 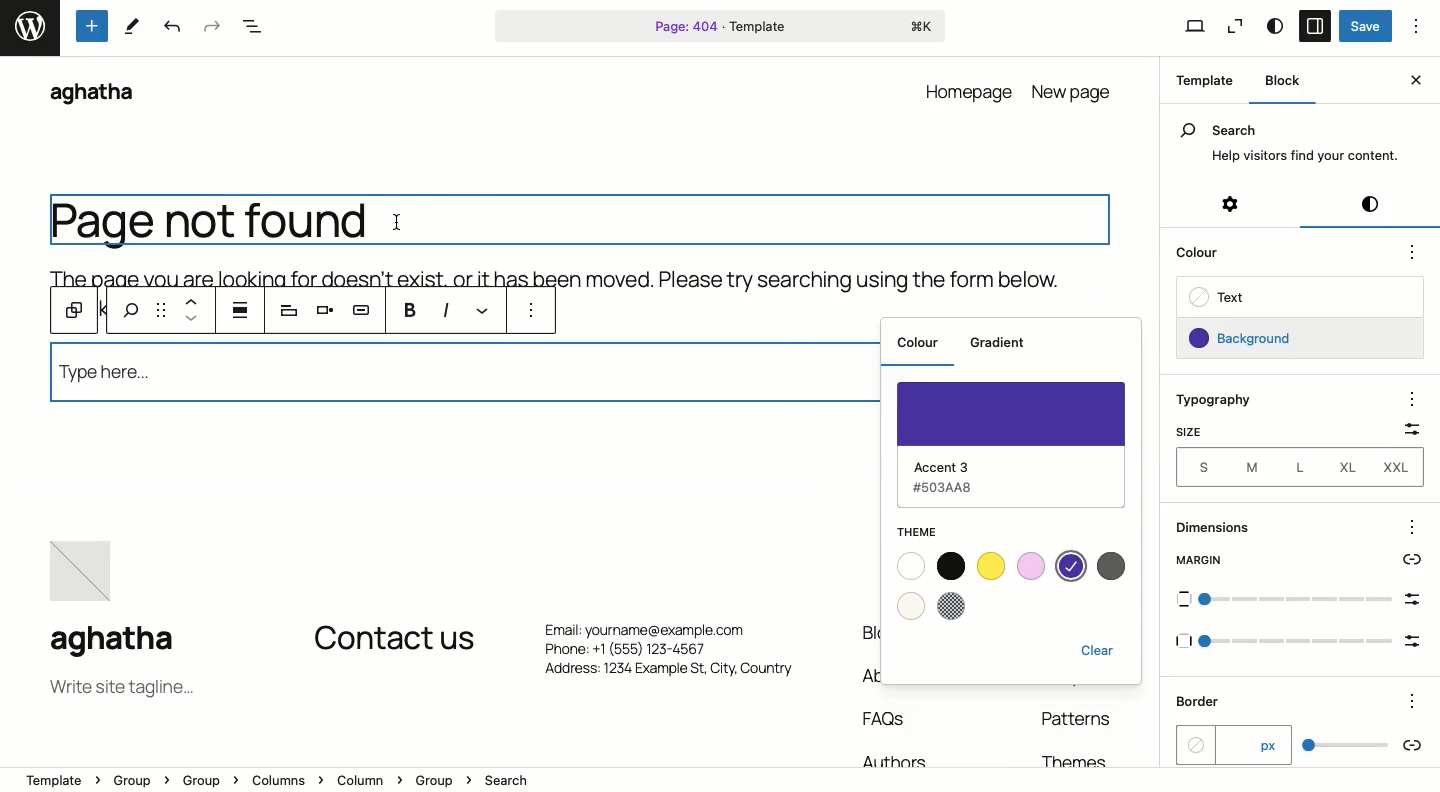 I want to click on XXL, so click(x=1403, y=468).